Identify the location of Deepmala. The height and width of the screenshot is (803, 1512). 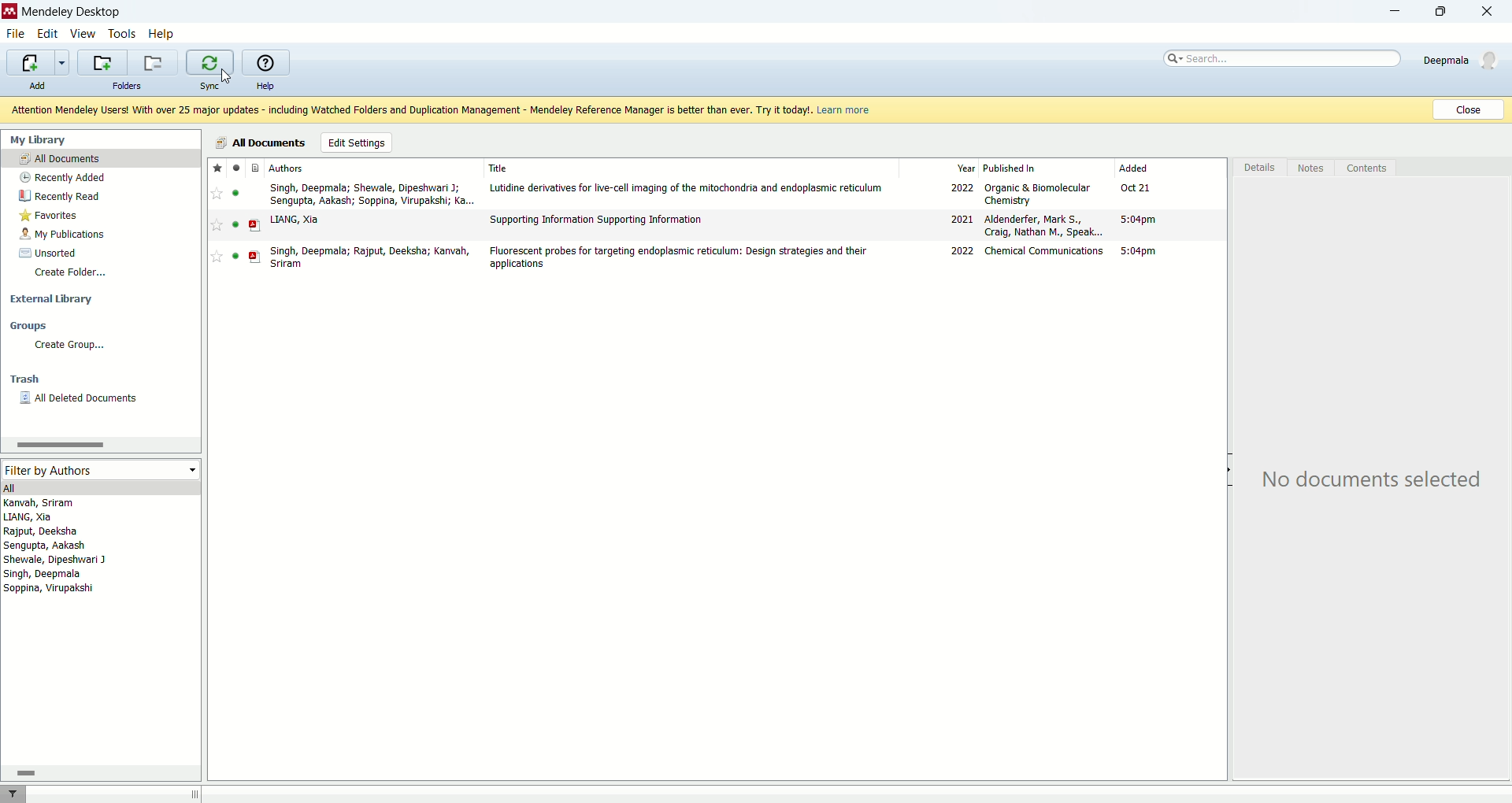
(1461, 61).